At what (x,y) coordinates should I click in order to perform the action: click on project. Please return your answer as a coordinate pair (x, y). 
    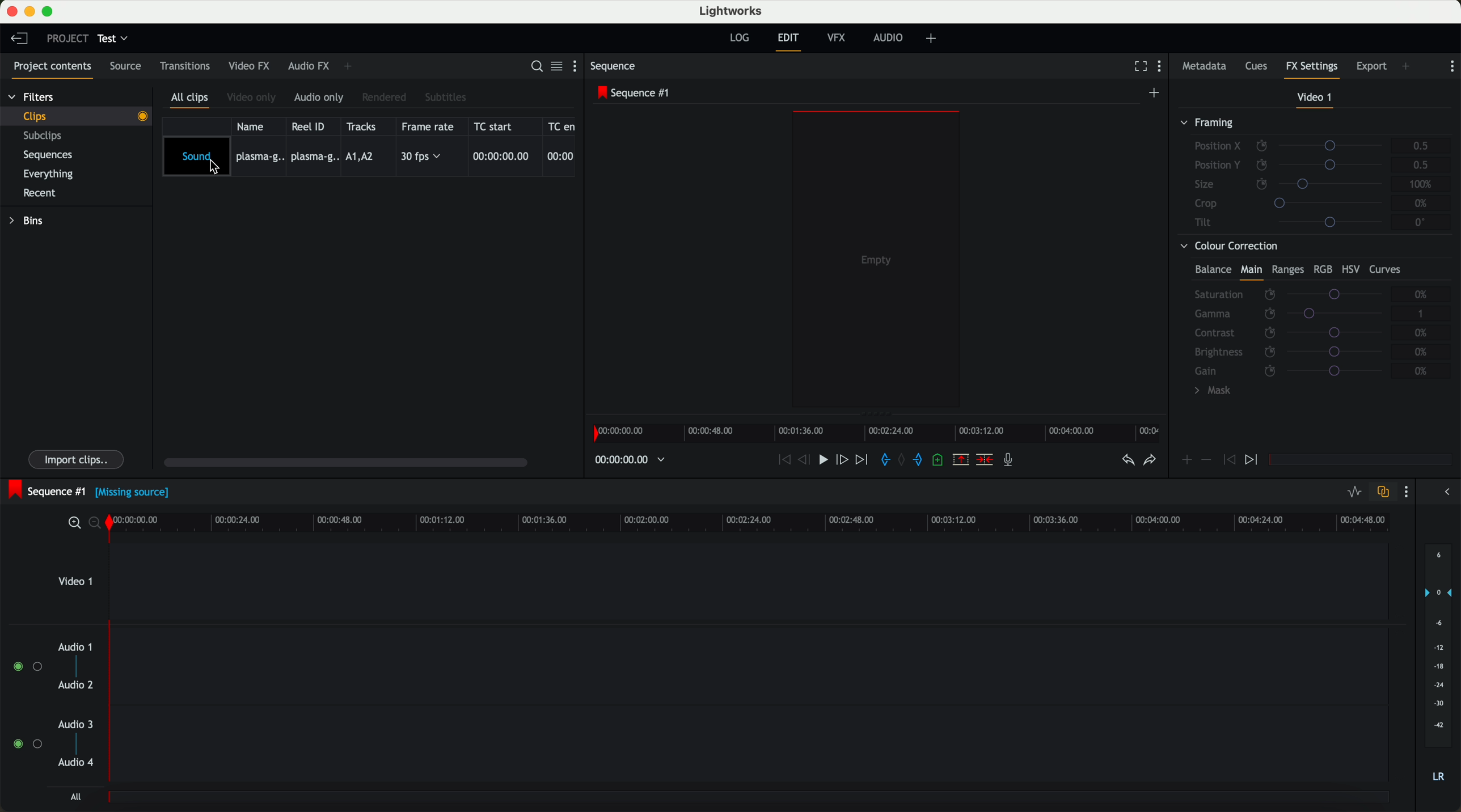
    Looking at the image, I should click on (65, 38).